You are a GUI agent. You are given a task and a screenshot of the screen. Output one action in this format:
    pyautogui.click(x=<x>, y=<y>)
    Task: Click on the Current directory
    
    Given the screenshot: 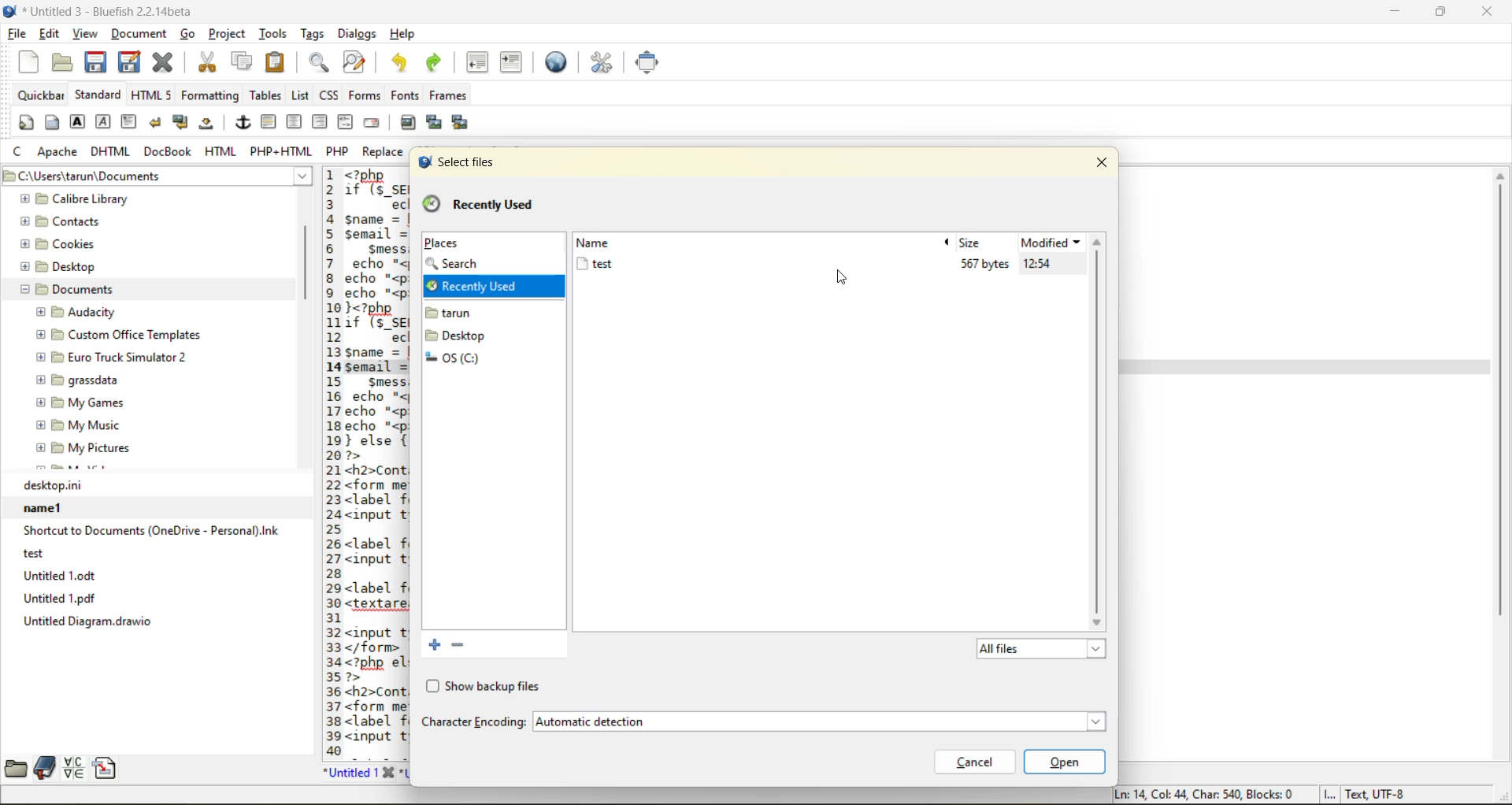 What is the action you would take?
    pyautogui.click(x=215, y=176)
    